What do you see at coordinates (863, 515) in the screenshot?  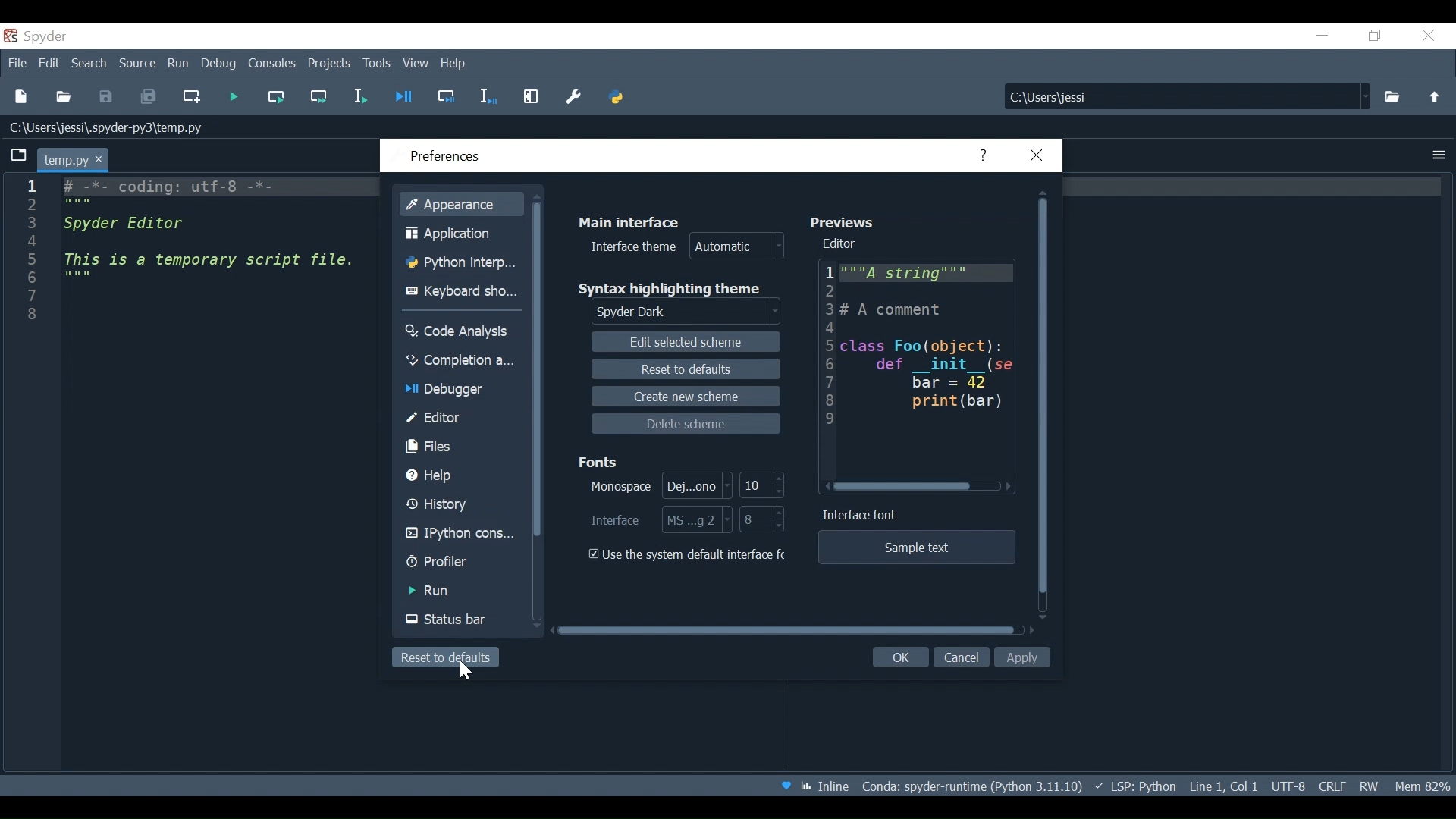 I see `Interface font` at bounding box center [863, 515].